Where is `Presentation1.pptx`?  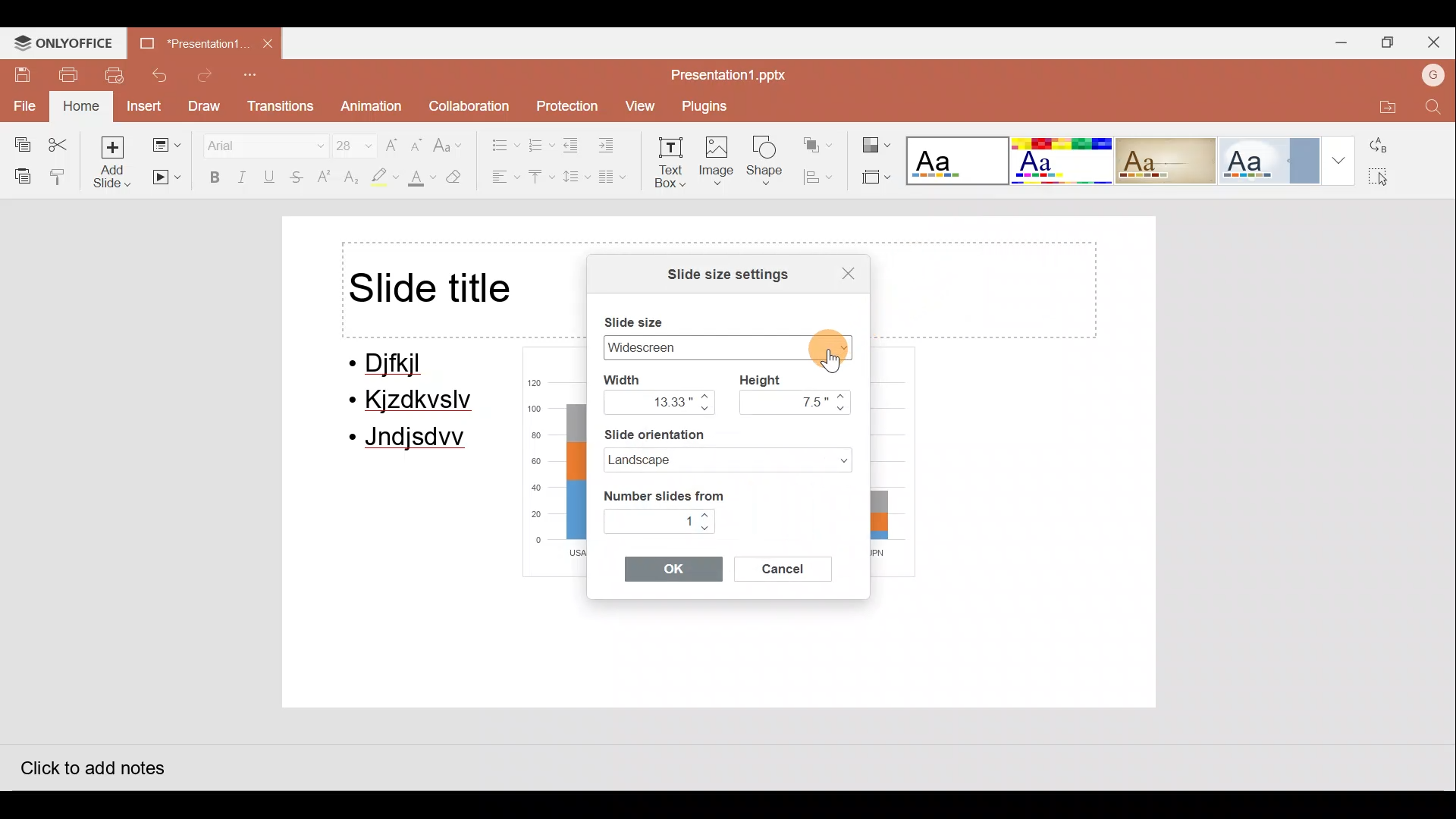
Presentation1.pptx is located at coordinates (731, 74).